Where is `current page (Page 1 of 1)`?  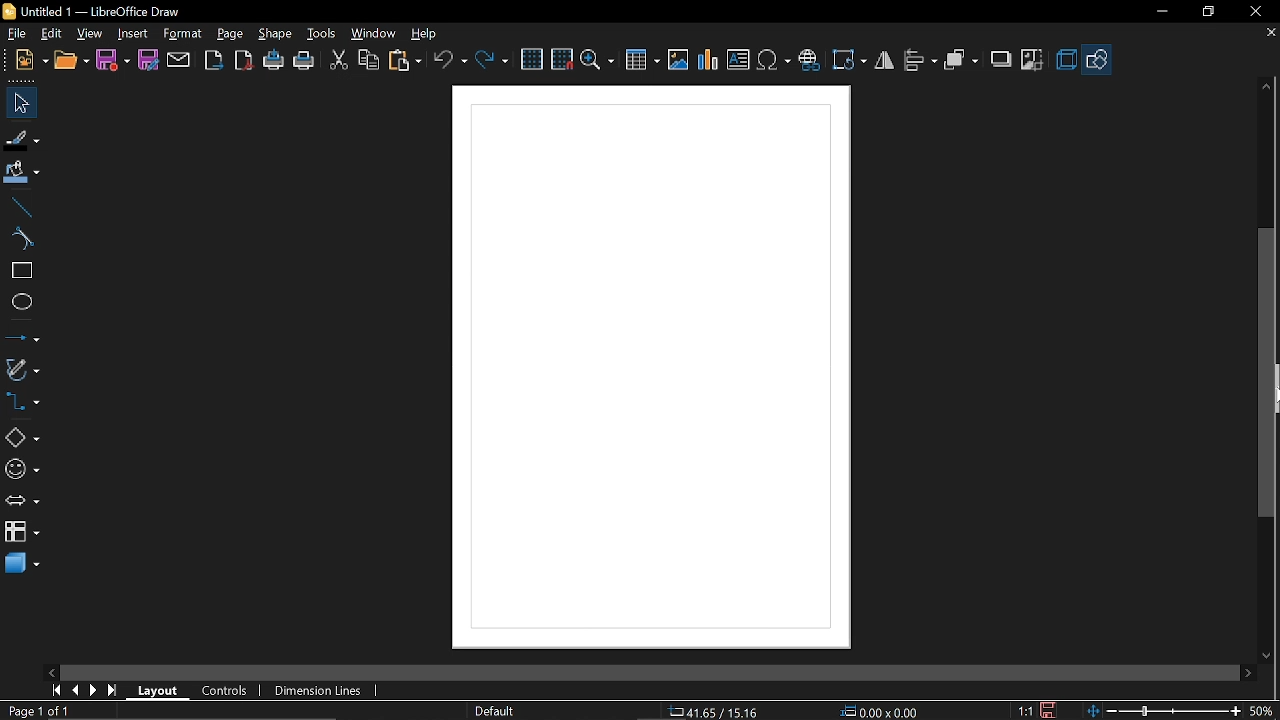
current page (Page 1 of 1) is located at coordinates (37, 711).